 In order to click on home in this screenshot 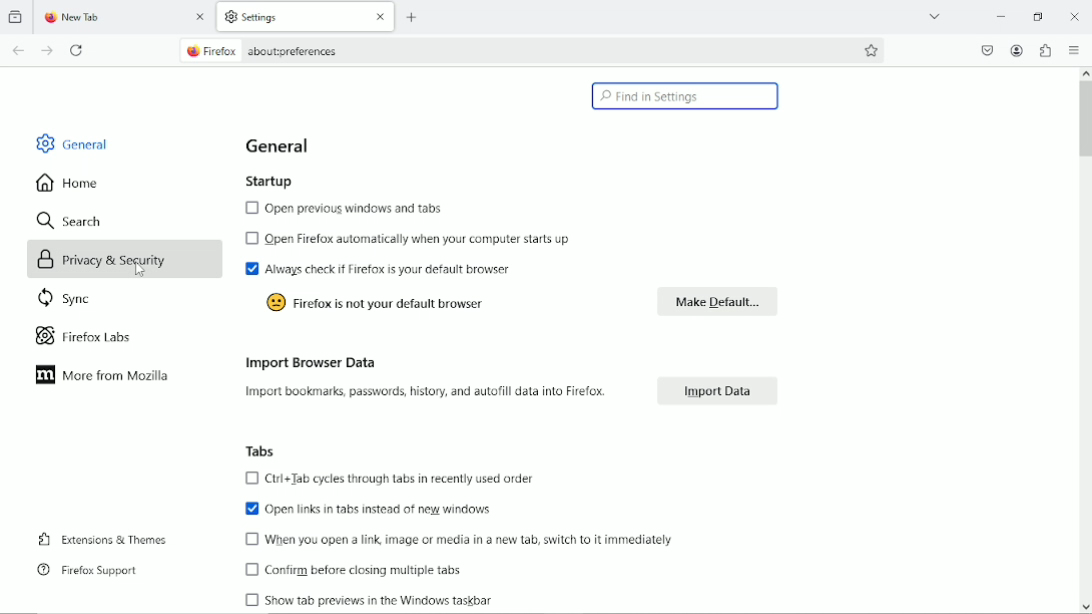, I will do `click(69, 182)`.